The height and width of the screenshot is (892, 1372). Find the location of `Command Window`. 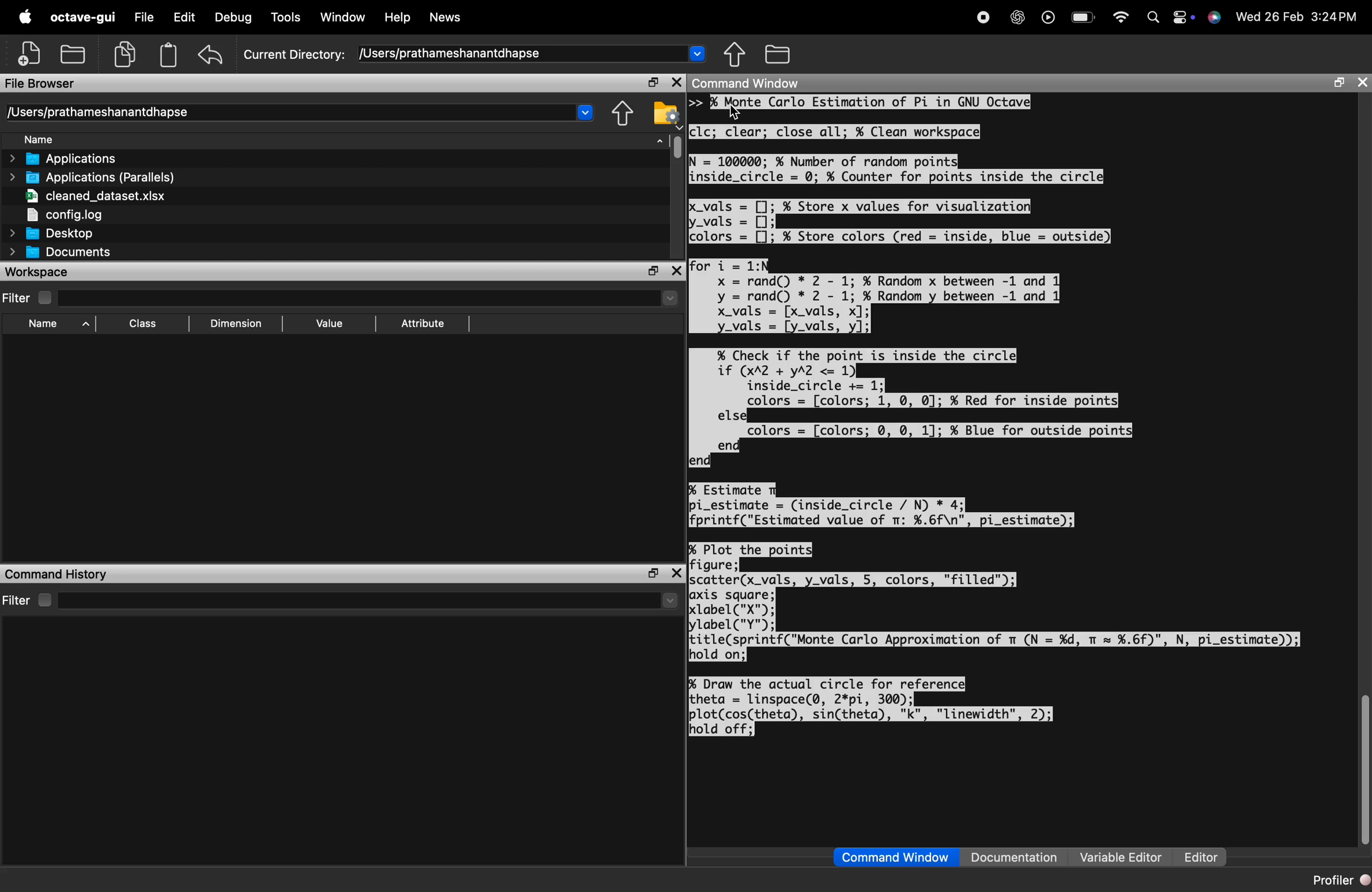

Command Window is located at coordinates (749, 83).